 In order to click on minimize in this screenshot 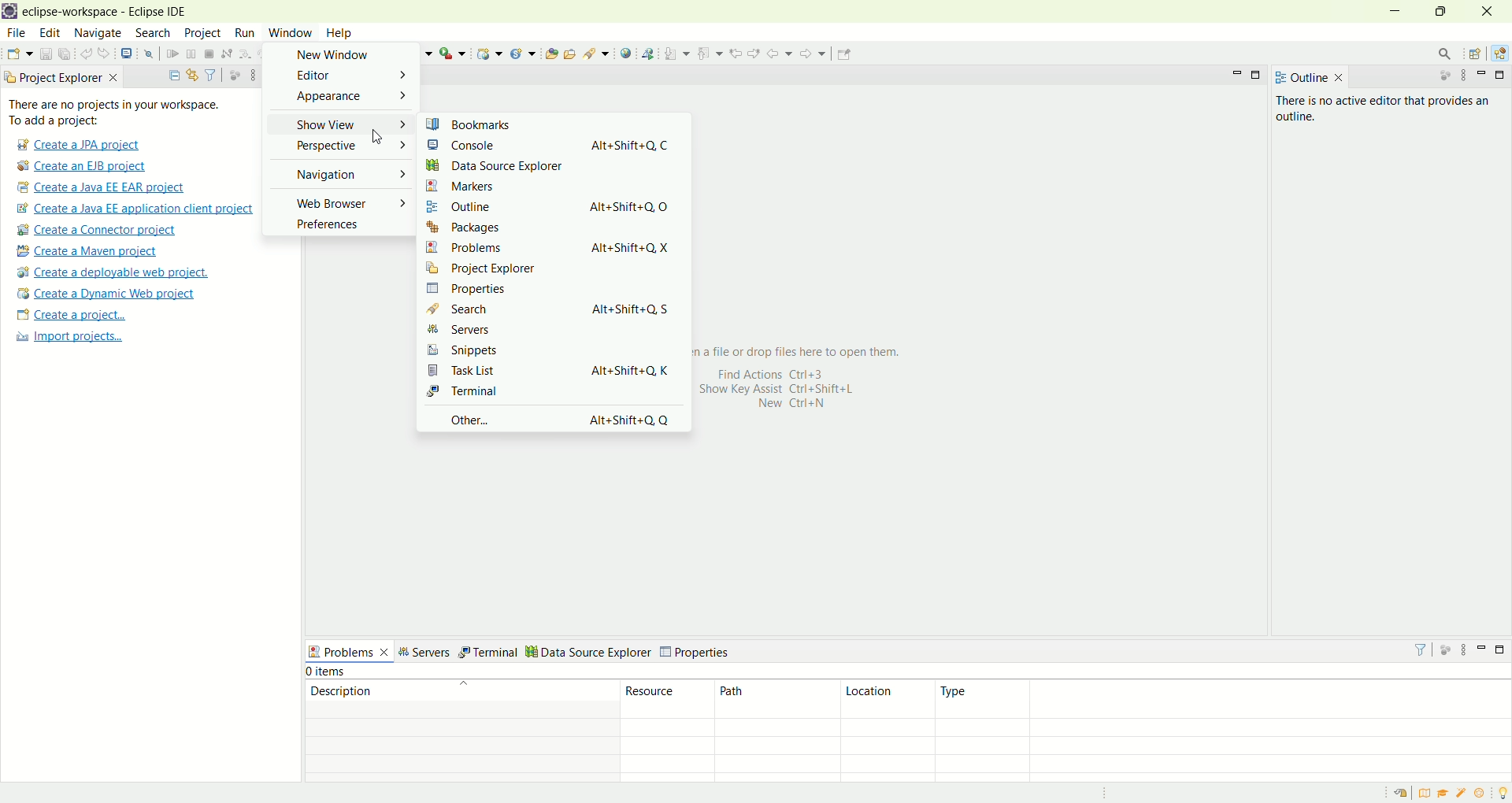, I will do `click(1483, 76)`.